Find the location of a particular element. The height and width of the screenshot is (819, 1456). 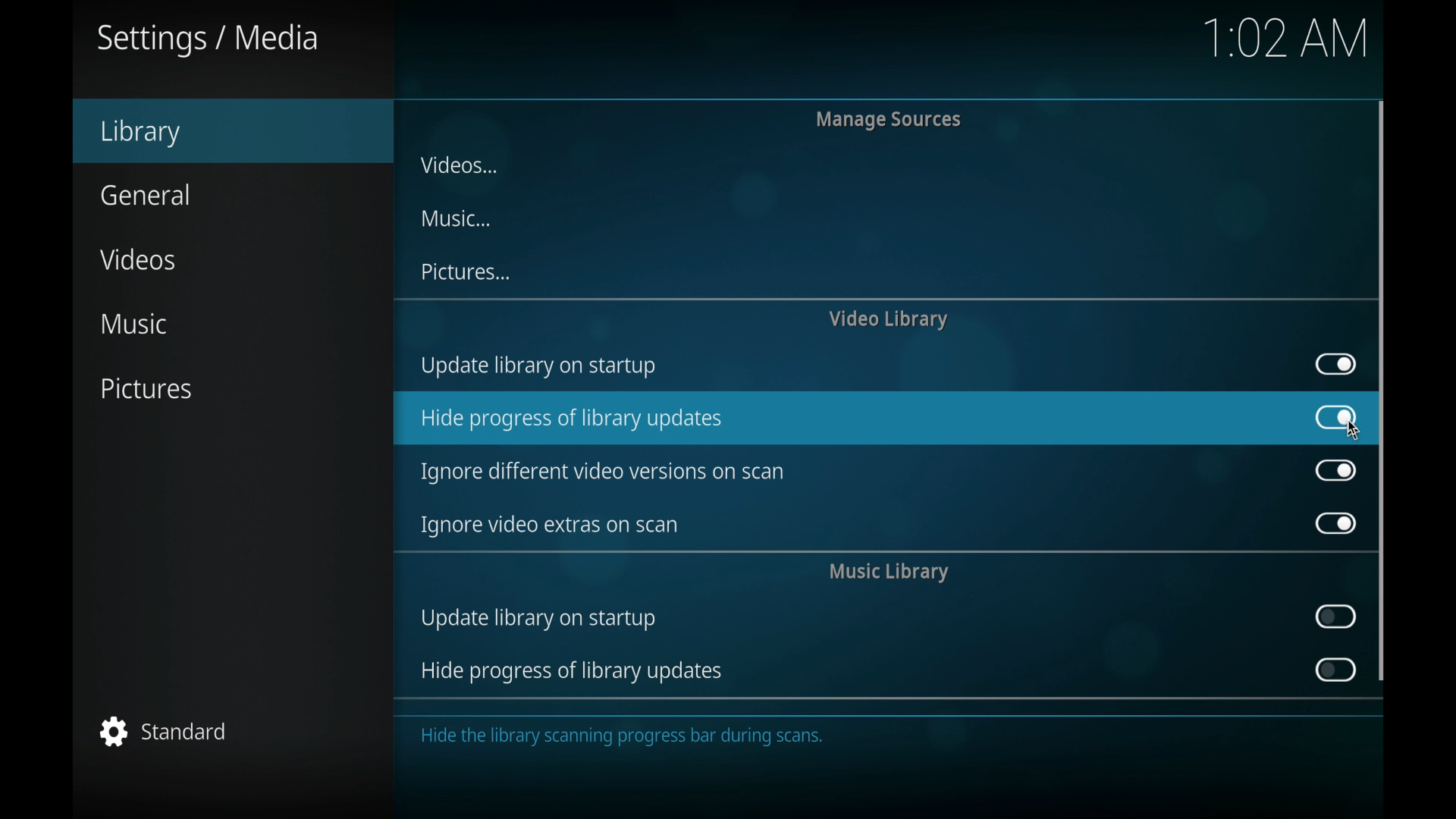

toggle button is located at coordinates (1336, 365).